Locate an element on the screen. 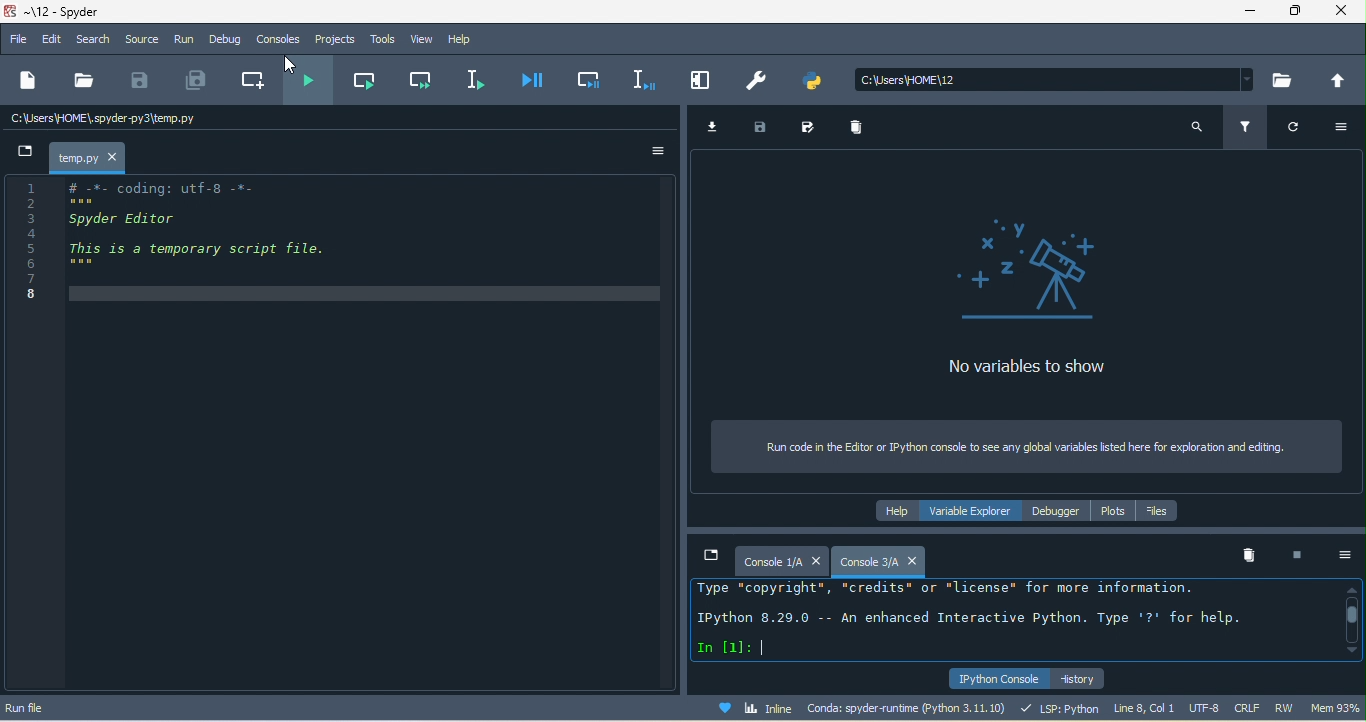 Image resolution: width=1366 pixels, height=722 pixels. consoles is located at coordinates (282, 43).